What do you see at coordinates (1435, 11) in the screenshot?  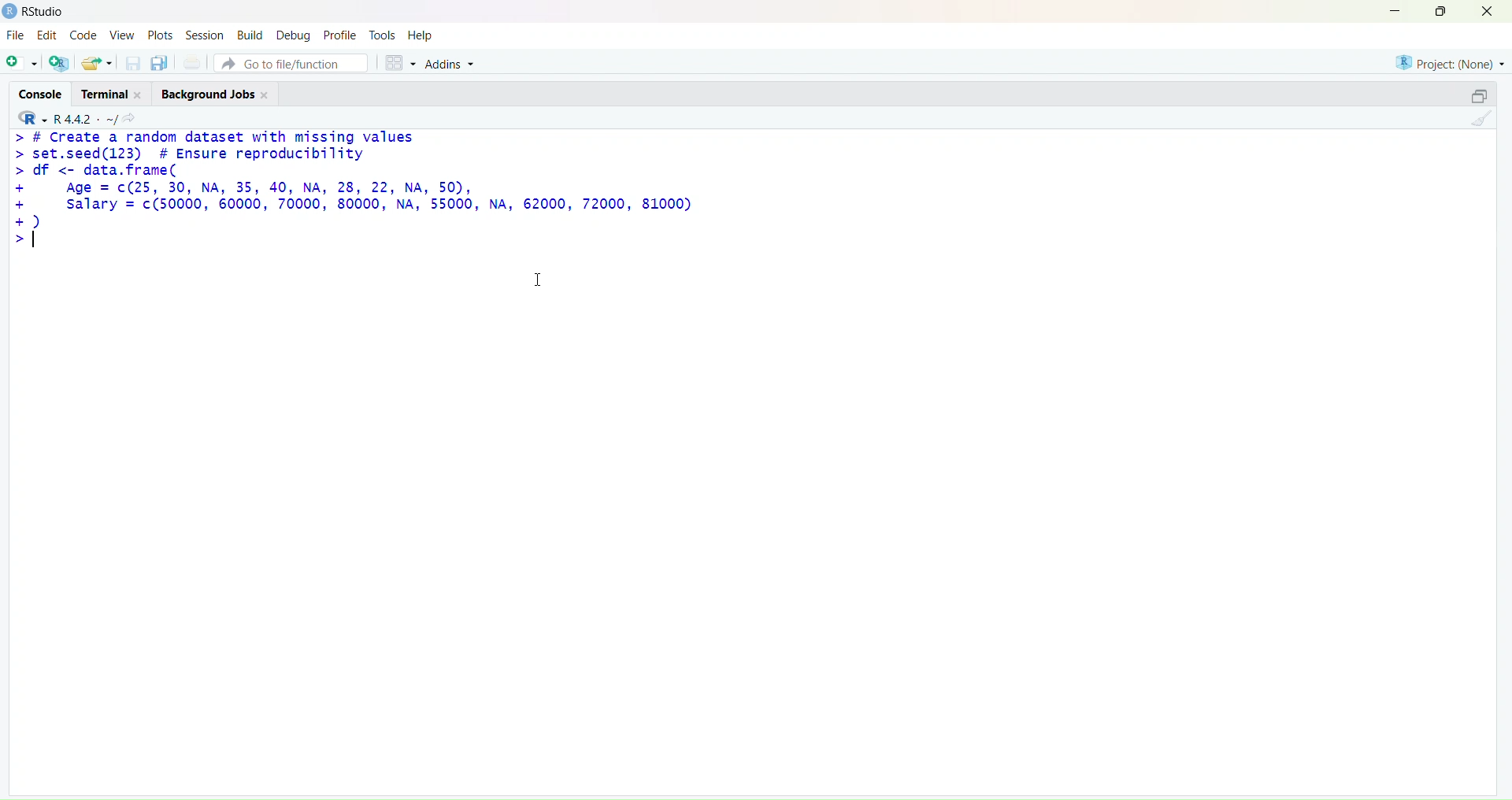 I see `maximize` at bounding box center [1435, 11].